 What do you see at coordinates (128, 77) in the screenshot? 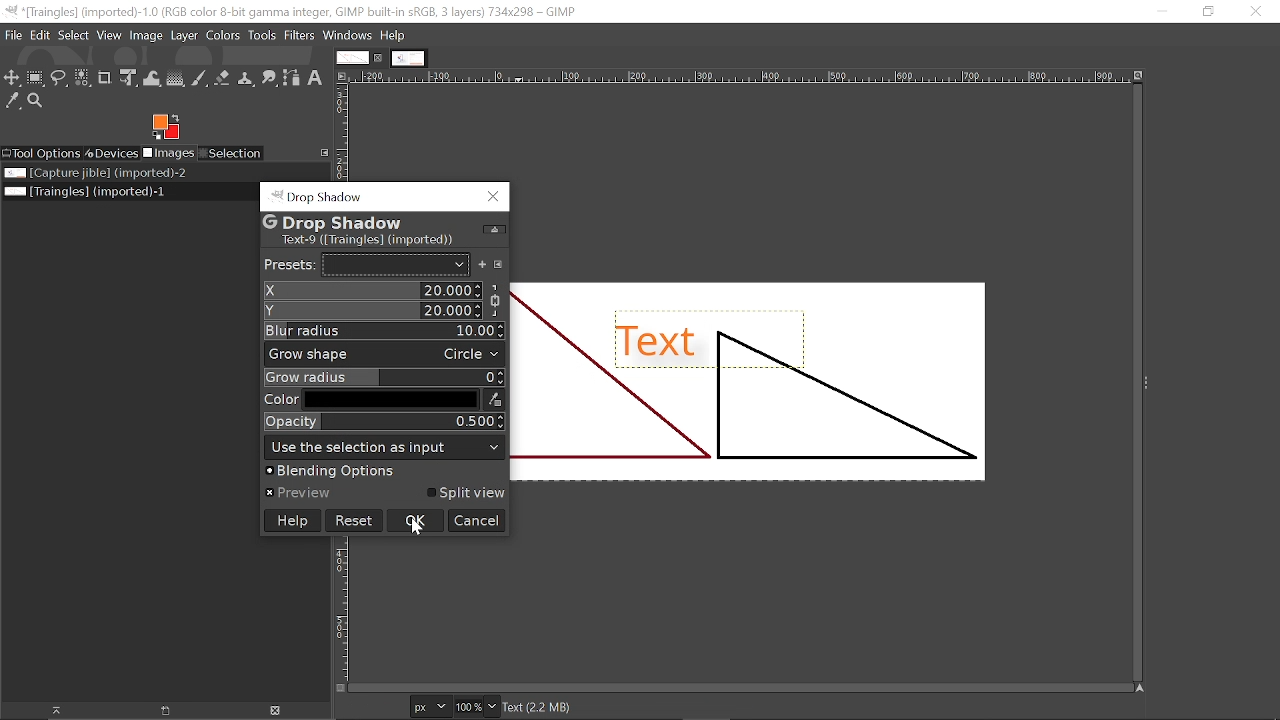
I see `Unified transform tool` at bounding box center [128, 77].